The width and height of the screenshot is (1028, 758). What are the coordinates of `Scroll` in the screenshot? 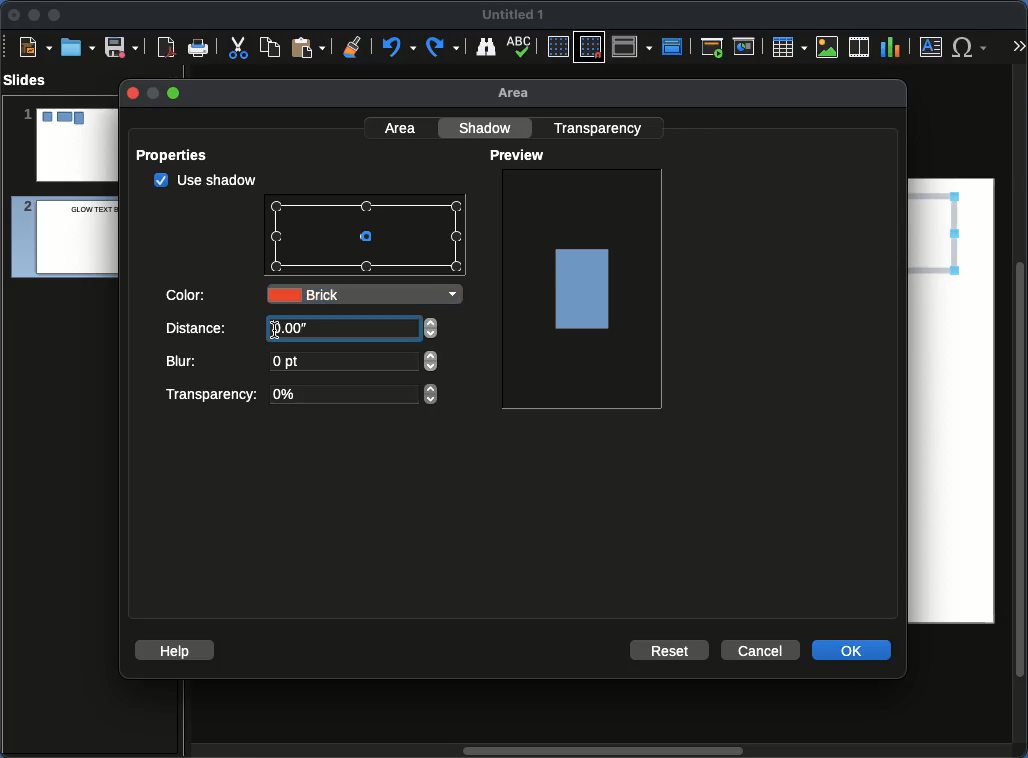 It's located at (599, 752).